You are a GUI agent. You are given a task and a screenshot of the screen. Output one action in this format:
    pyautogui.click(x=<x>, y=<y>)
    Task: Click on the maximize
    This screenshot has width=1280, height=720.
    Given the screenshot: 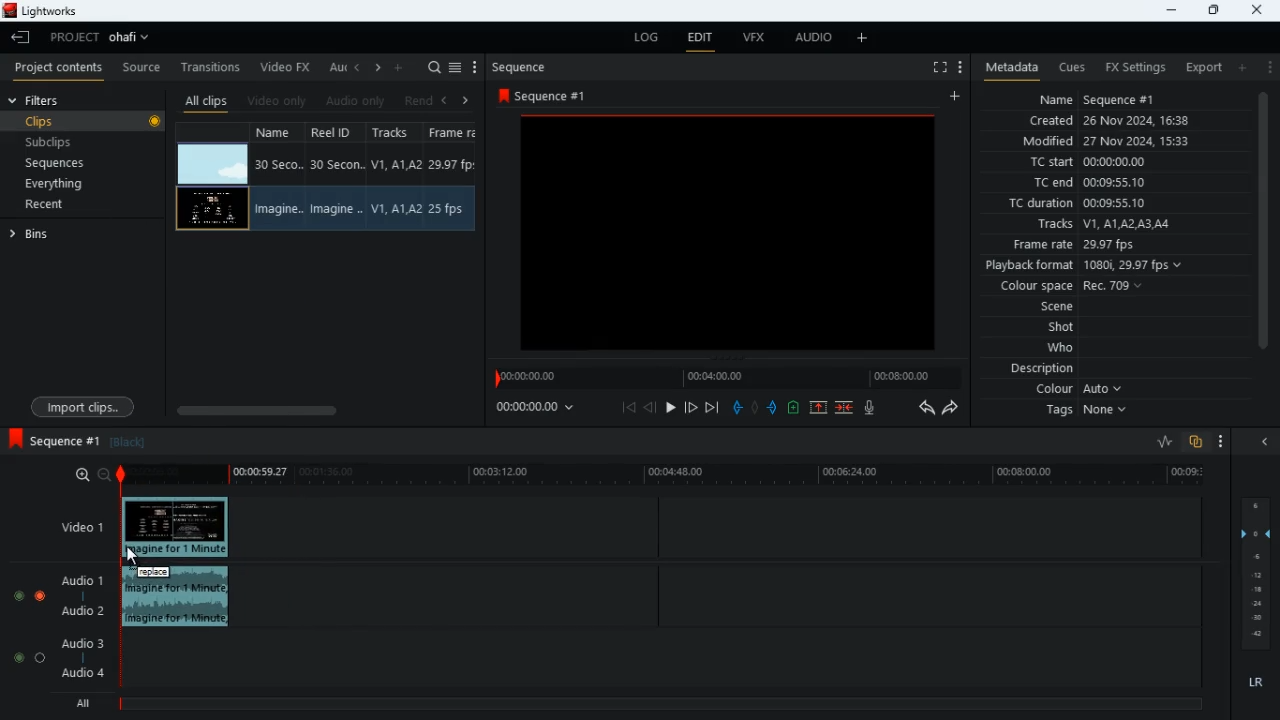 What is the action you would take?
    pyautogui.click(x=1213, y=10)
    